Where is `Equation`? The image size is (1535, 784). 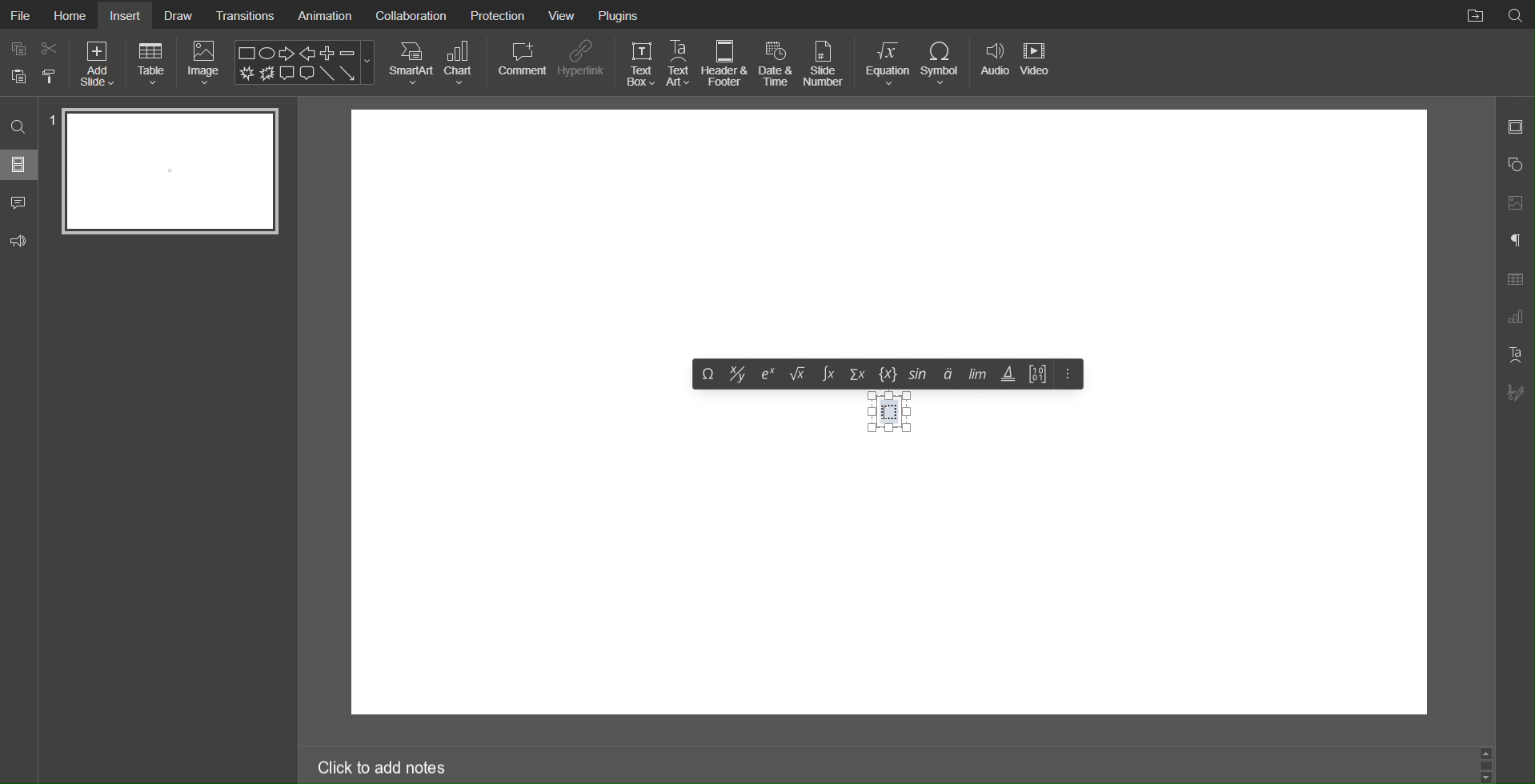
Equation is located at coordinates (888, 63).